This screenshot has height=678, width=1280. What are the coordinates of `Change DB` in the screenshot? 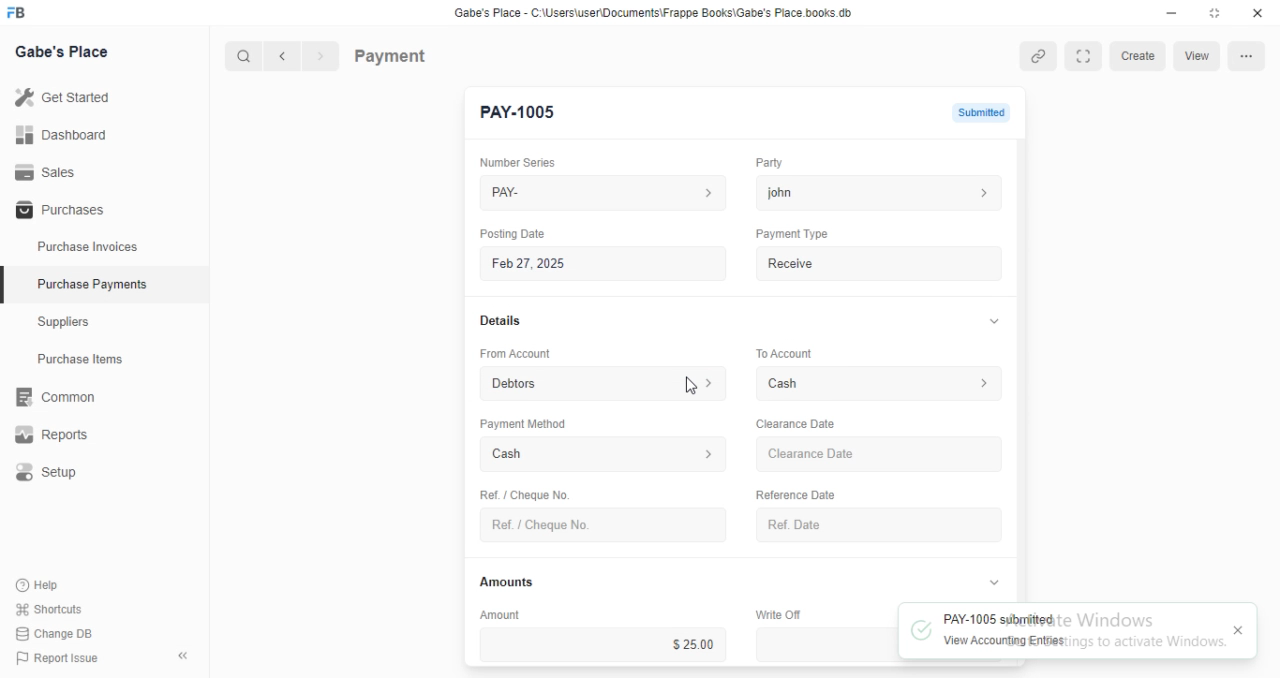 It's located at (52, 632).